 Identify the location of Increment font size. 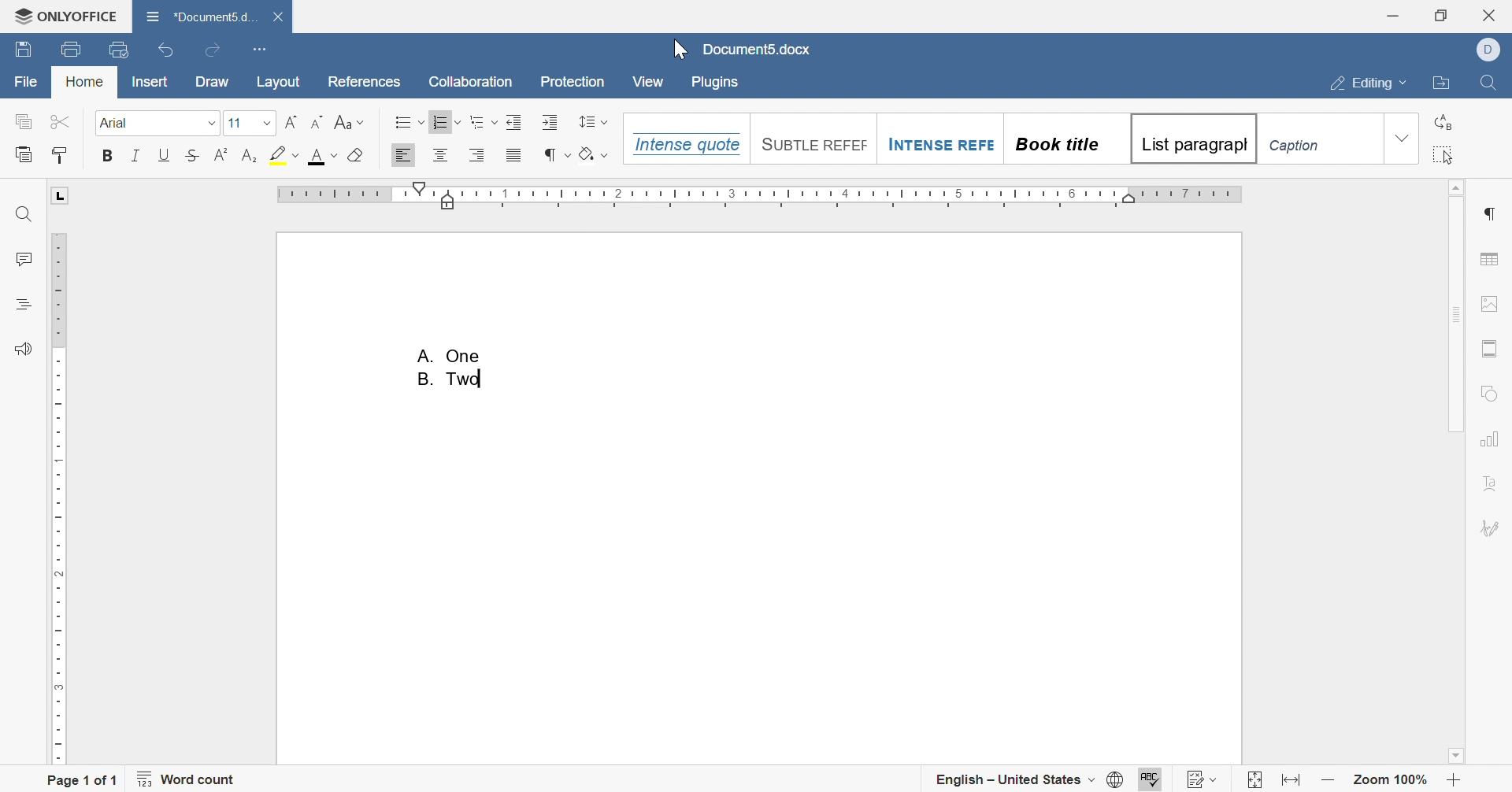
(292, 123).